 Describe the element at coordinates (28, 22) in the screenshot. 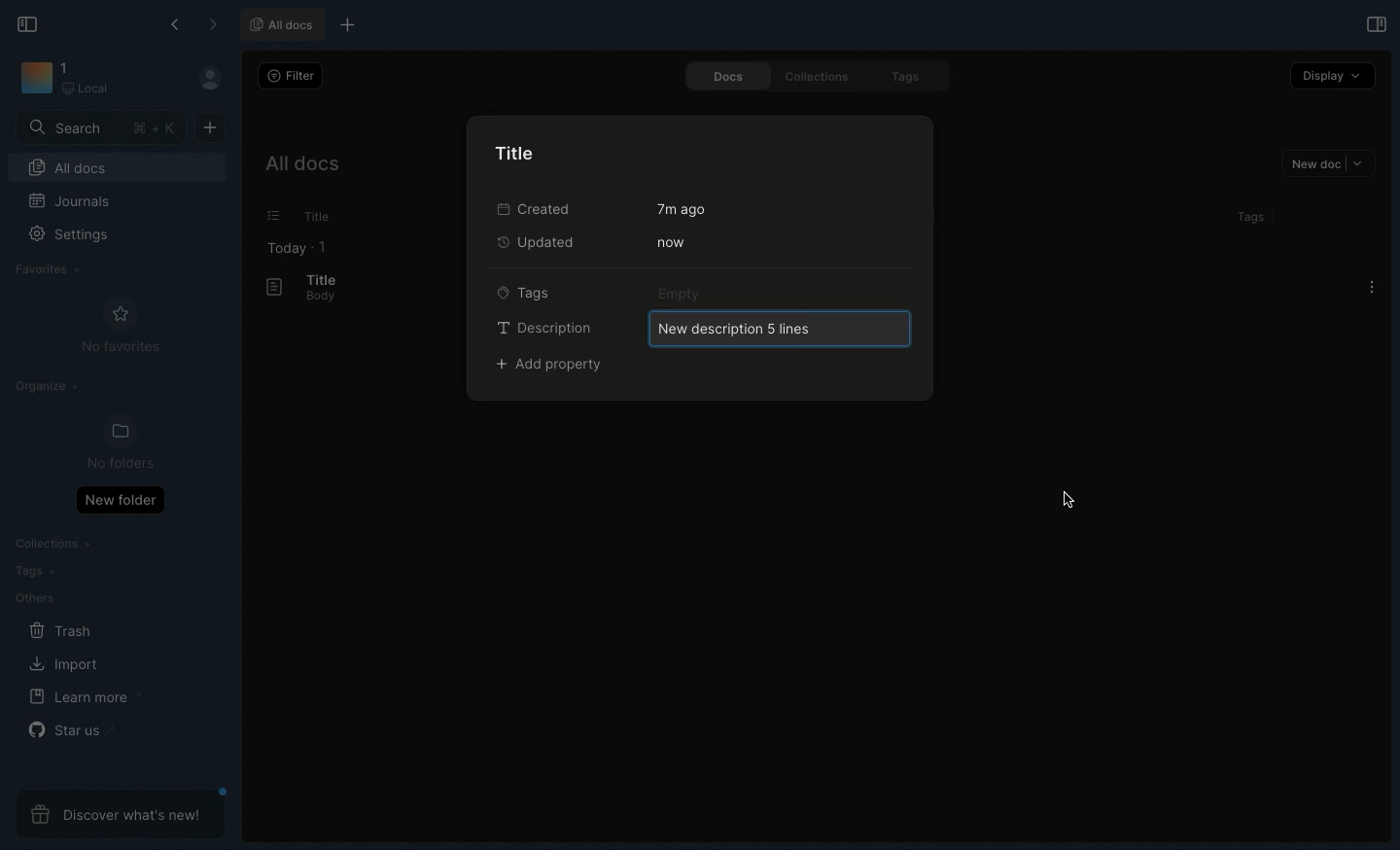

I see `Collapse sidebar` at that location.